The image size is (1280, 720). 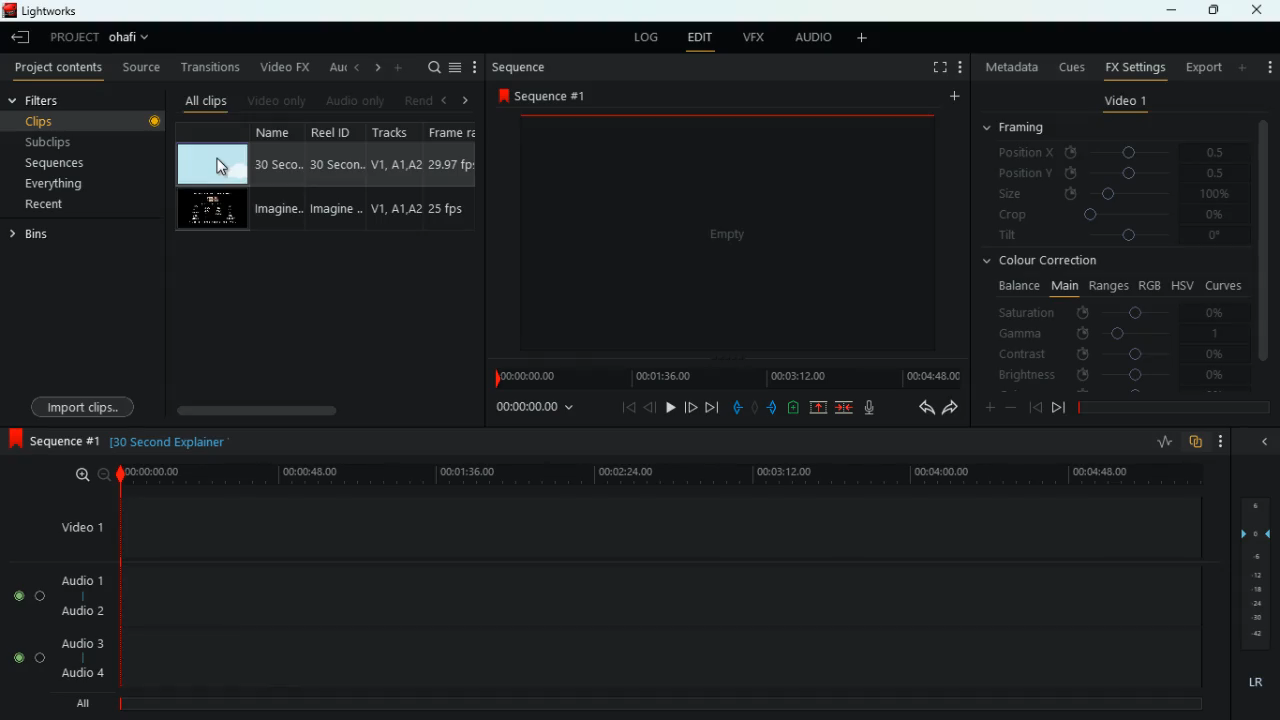 I want to click on lr, so click(x=1253, y=684).